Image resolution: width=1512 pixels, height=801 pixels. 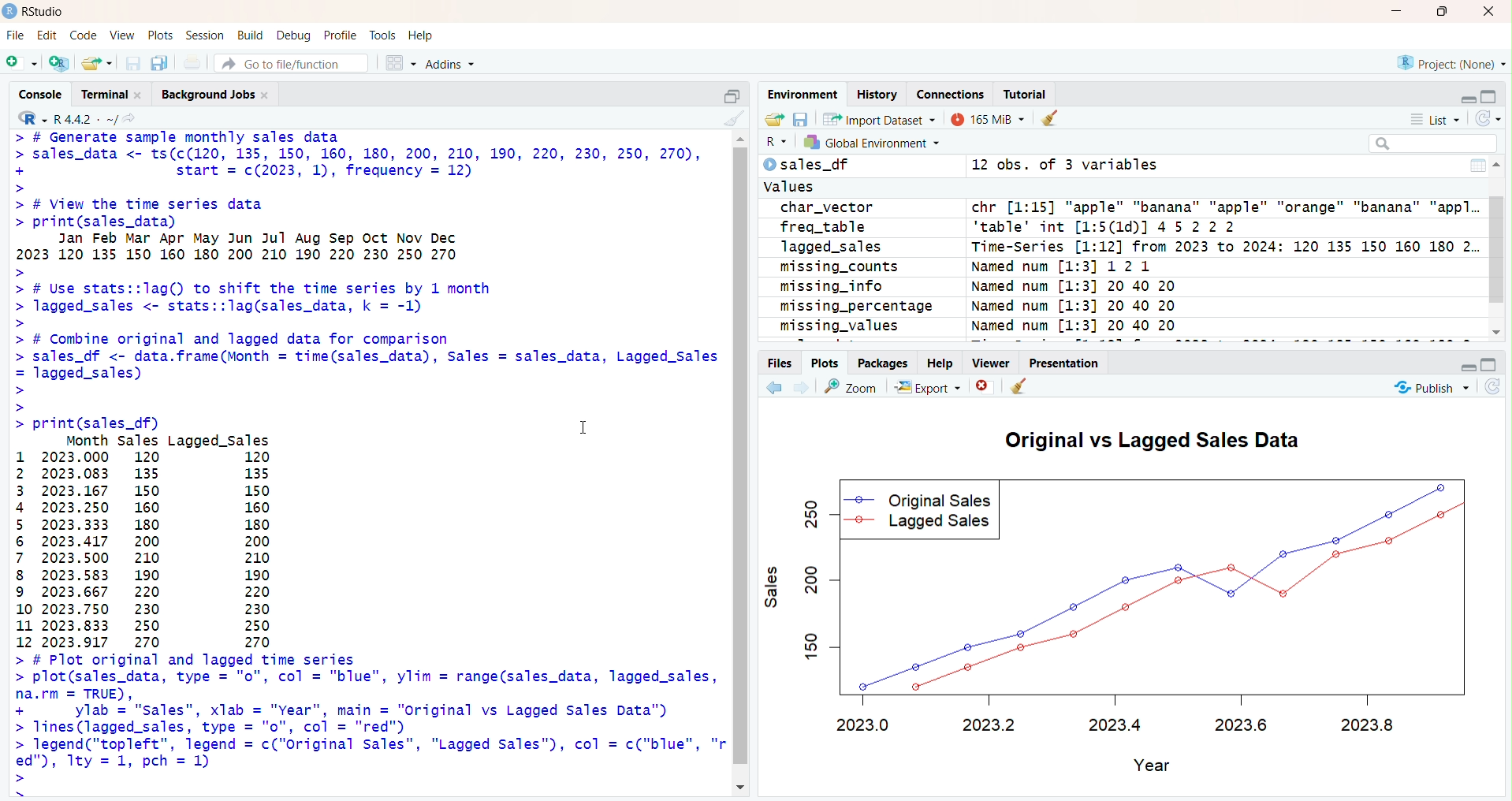 What do you see at coordinates (1029, 95) in the screenshot?
I see `tutorial` at bounding box center [1029, 95].